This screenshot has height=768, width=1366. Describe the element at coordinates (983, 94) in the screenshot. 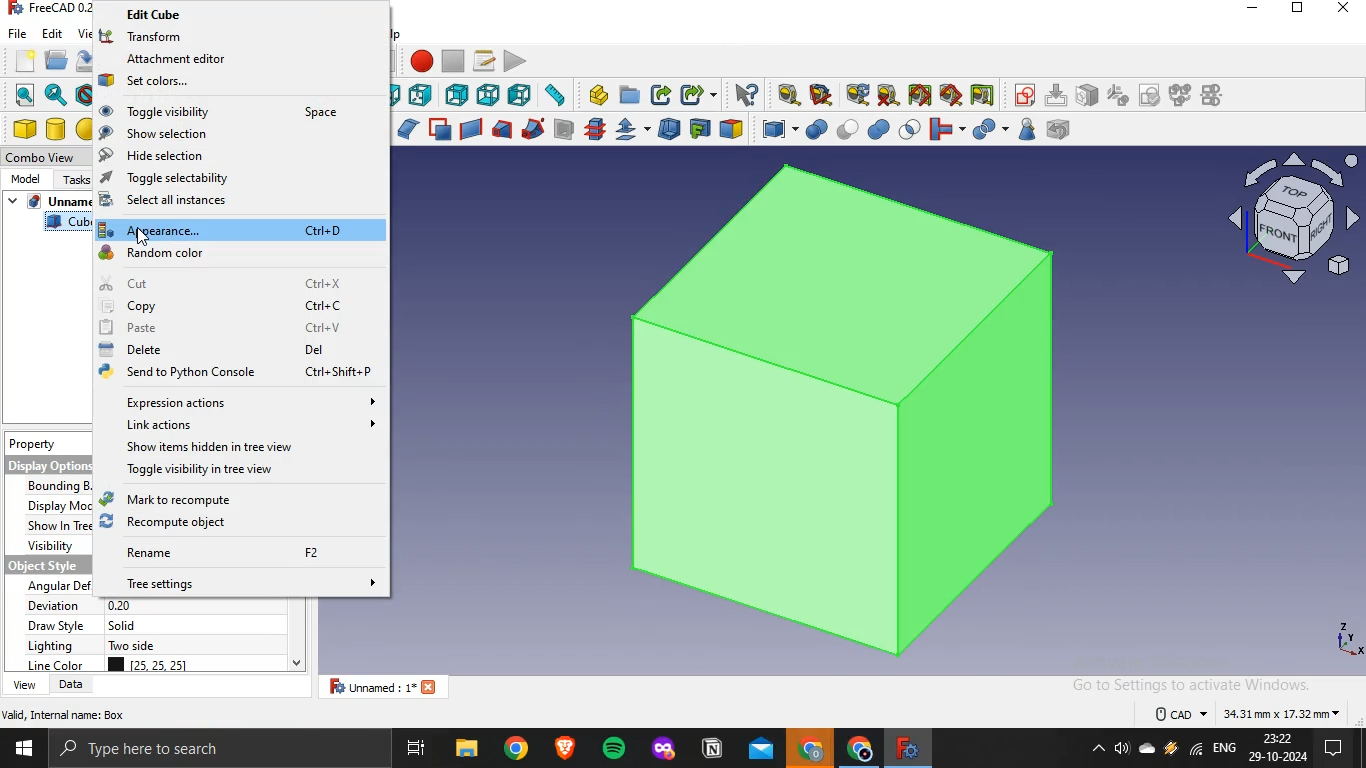

I see `toggle delta` at that location.